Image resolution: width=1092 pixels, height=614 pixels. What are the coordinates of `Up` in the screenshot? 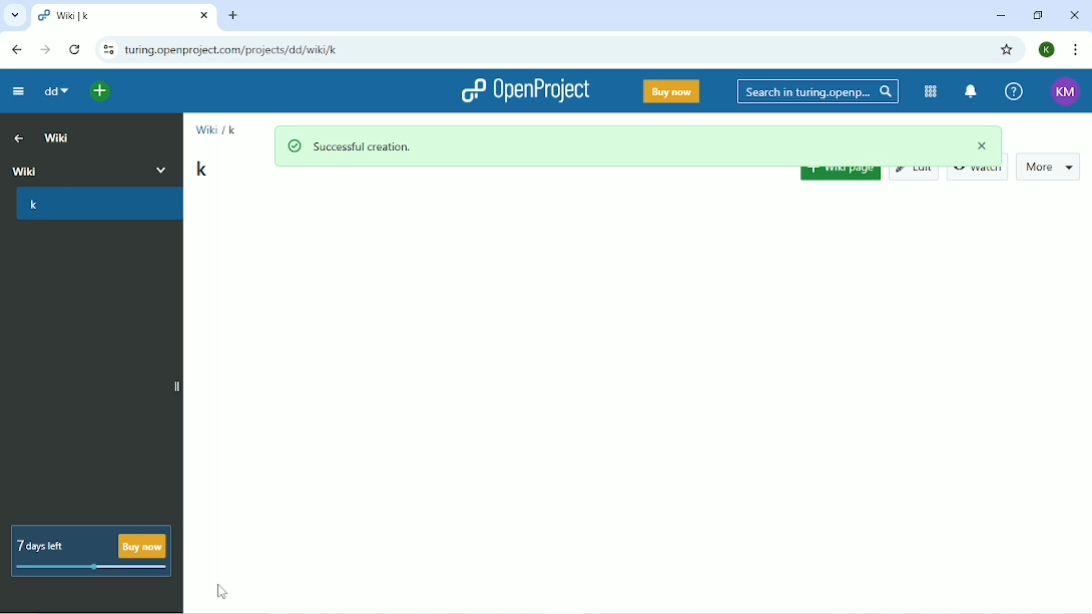 It's located at (16, 136).